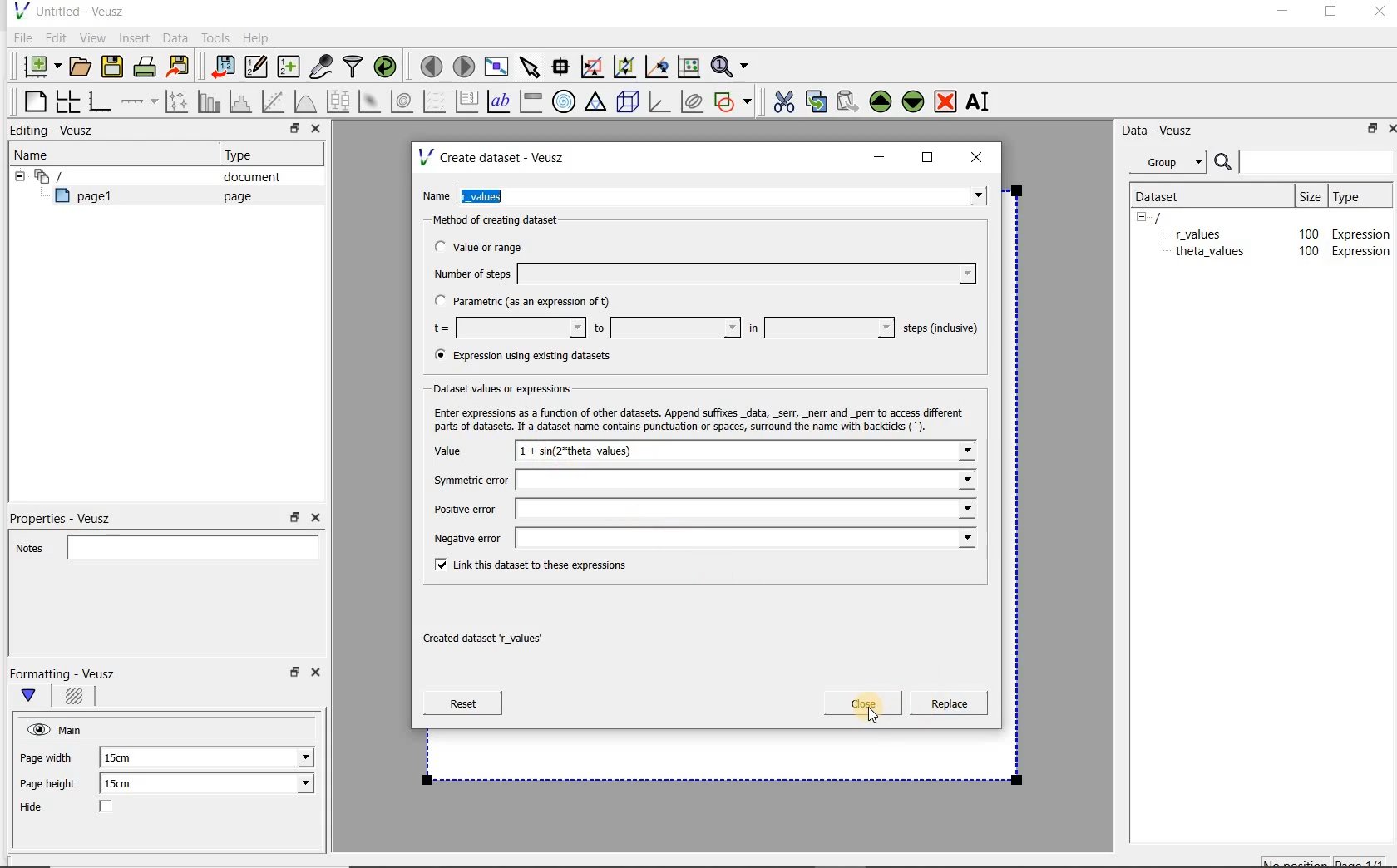 The image size is (1397, 868). I want to click on click to reset graph axes, so click(689, 66).